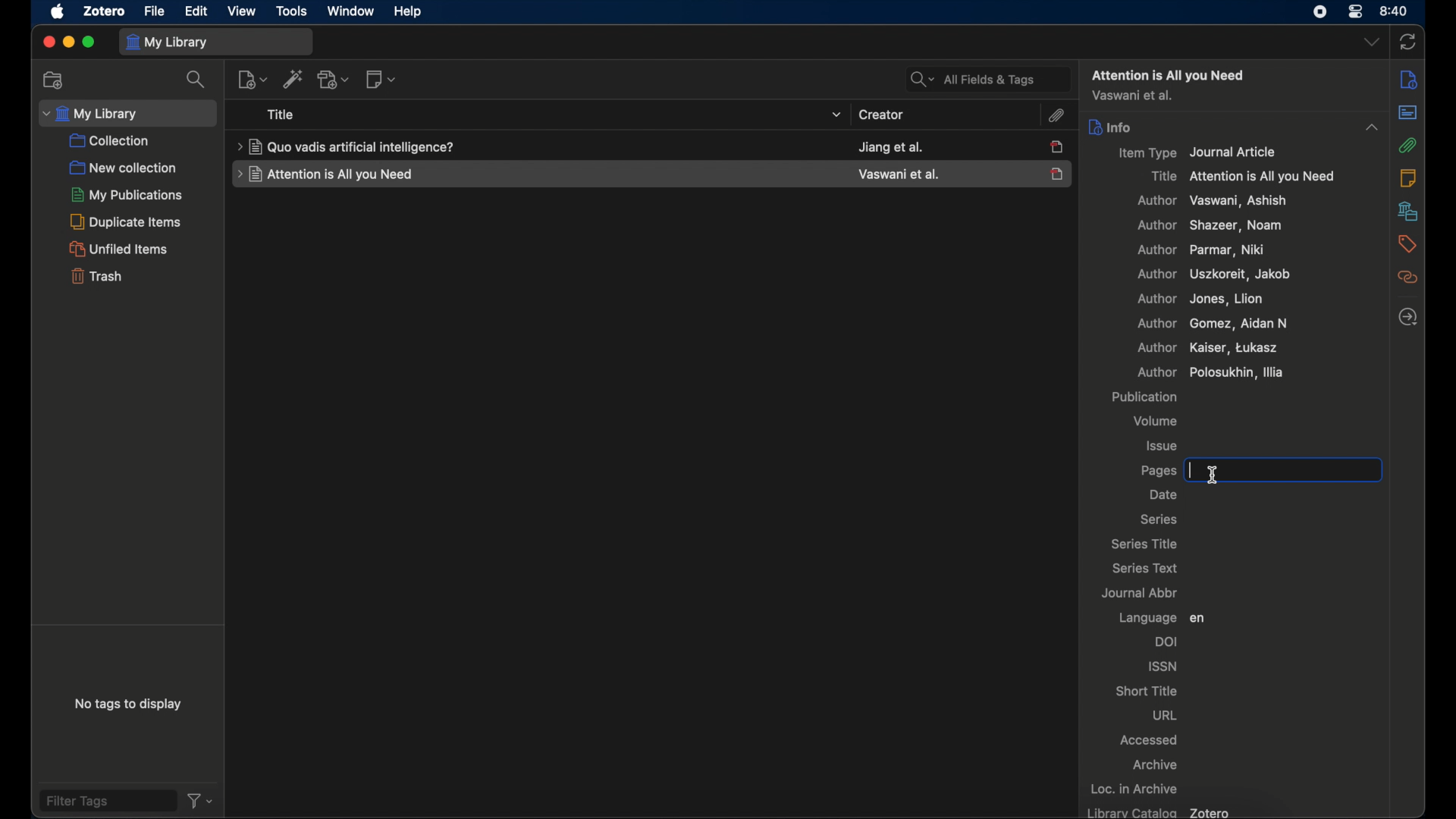 The image size is (1456, 819). Describe the element at coordinates (1169, 74) in the screenshot. I see `attention all you need` at that location.